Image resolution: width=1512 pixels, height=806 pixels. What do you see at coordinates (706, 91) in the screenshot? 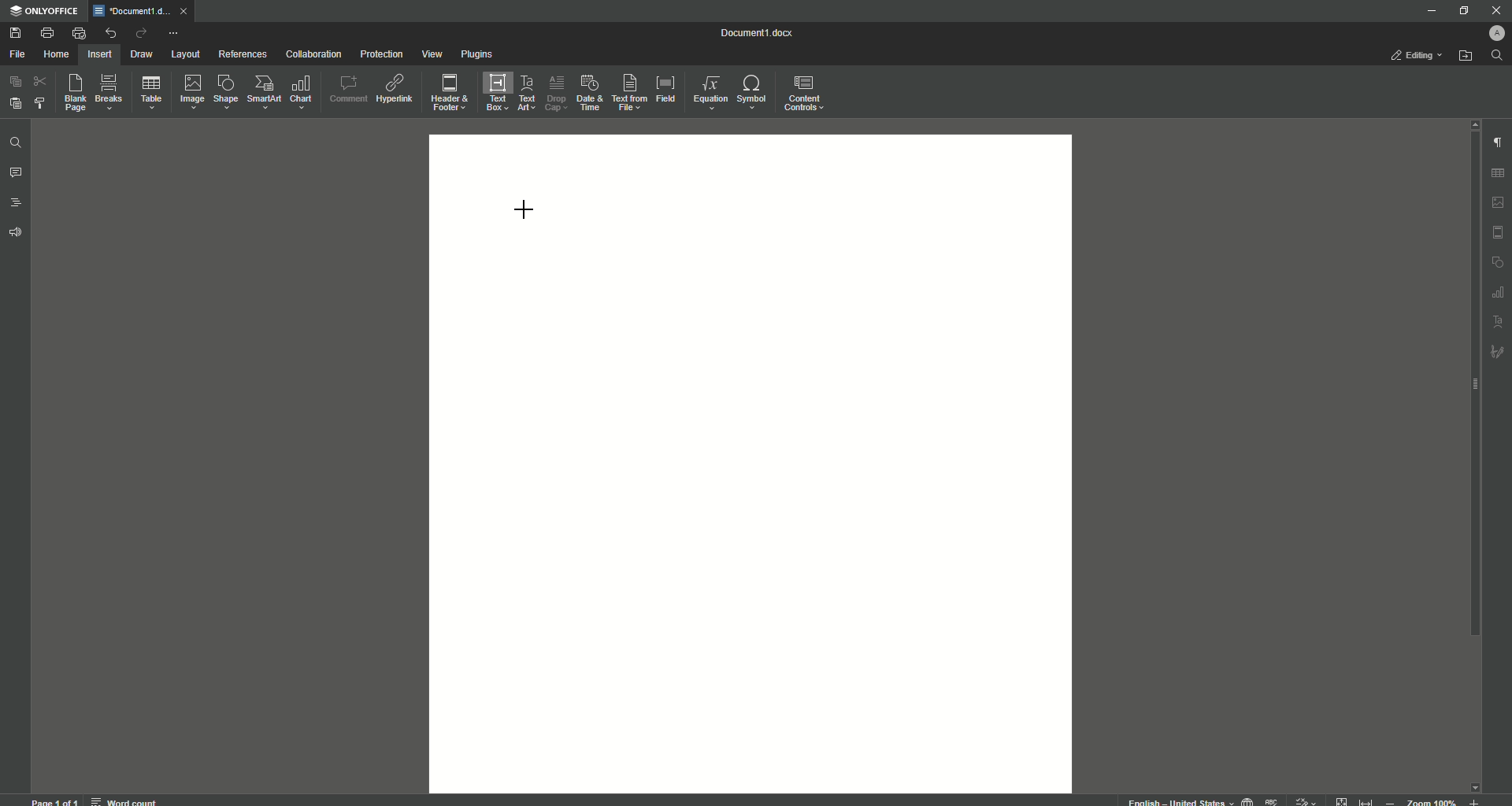
I see `Equation` at bounding box center [706, 91].